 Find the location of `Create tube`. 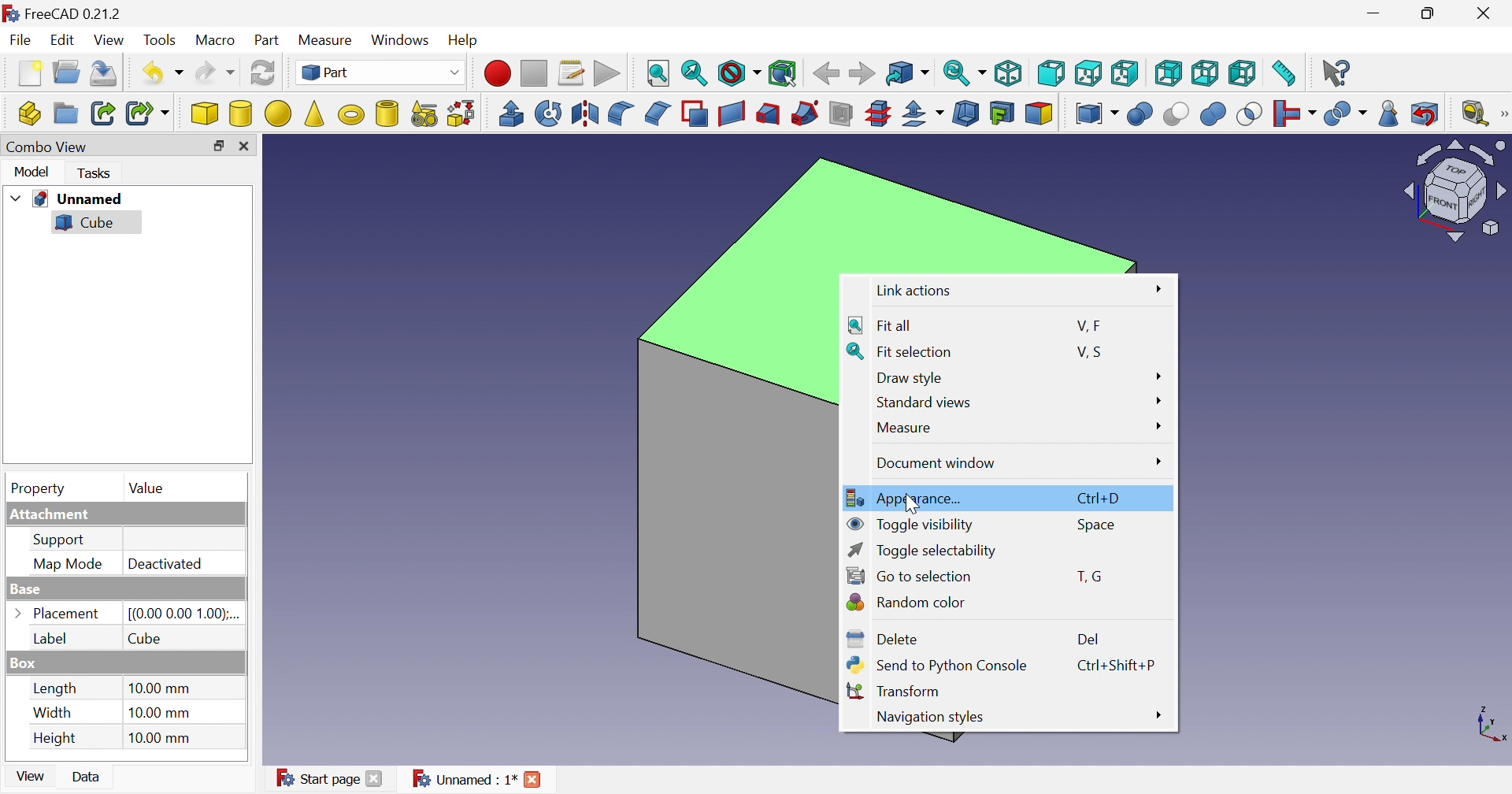

Create tube is located at coordinates (388, 114).